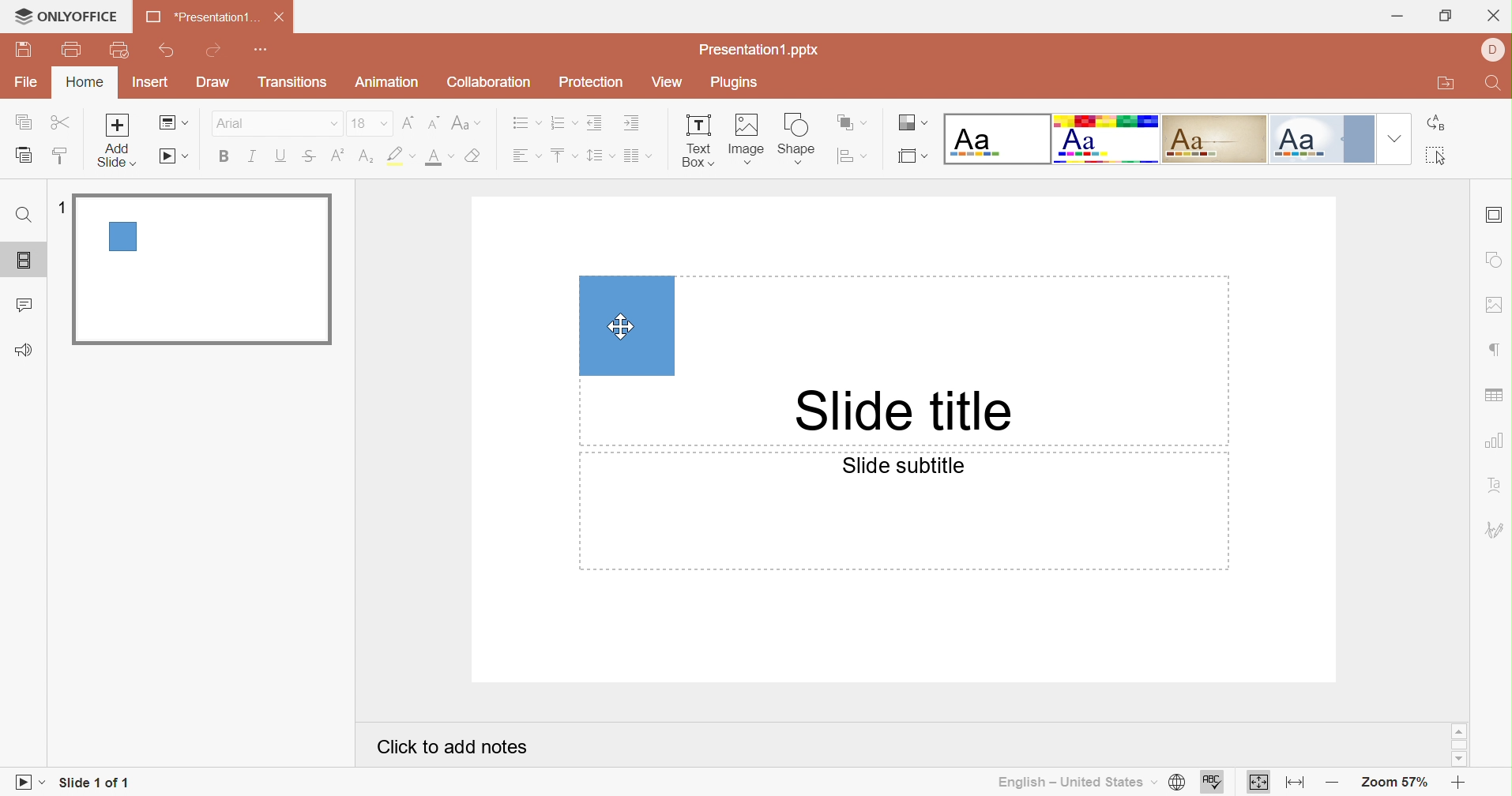 The image size is (1512, 796). Describe the element at coordinates (698, 141) in the screenshot. I see `Text box` at that location.